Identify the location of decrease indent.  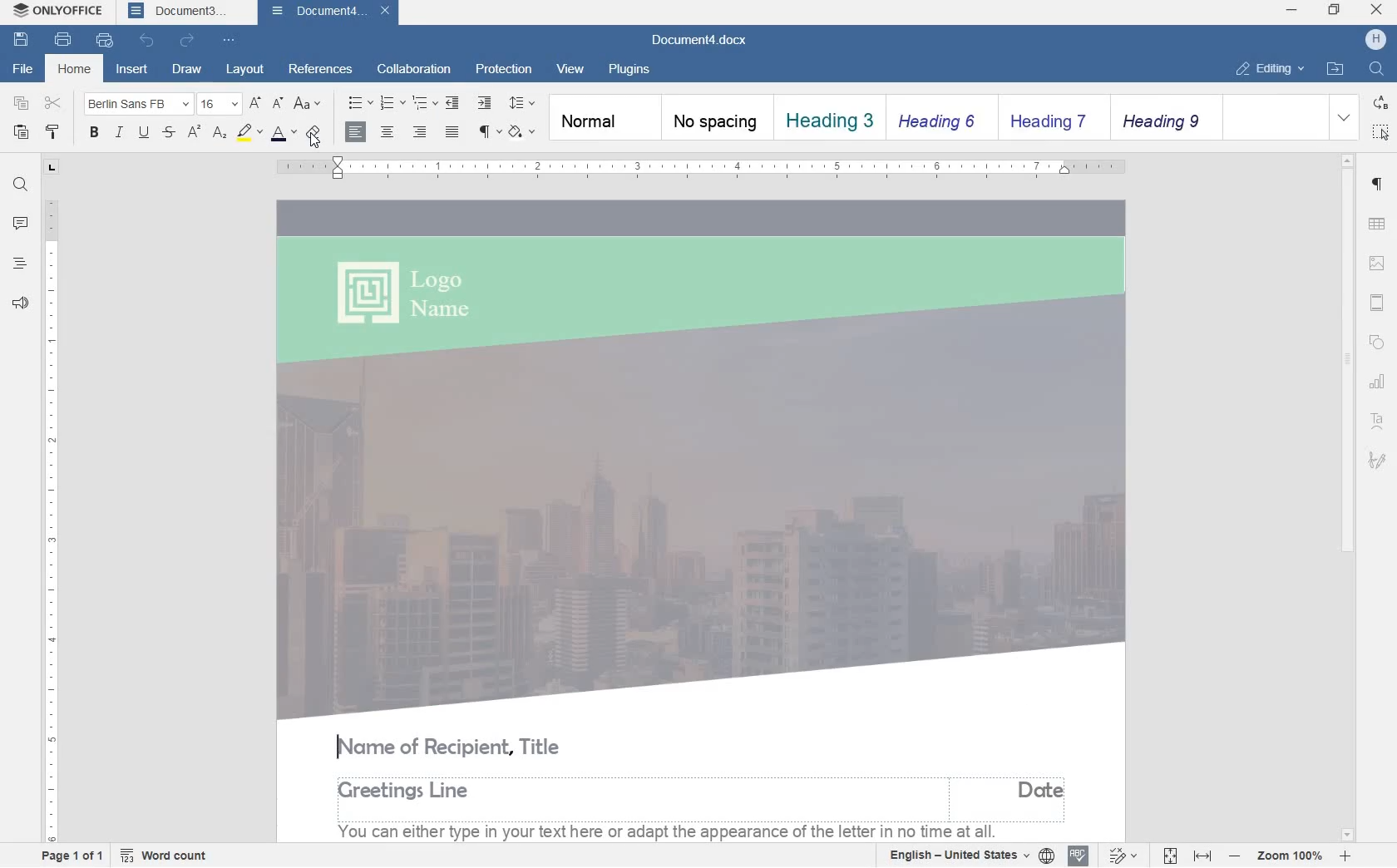
(452, 104).